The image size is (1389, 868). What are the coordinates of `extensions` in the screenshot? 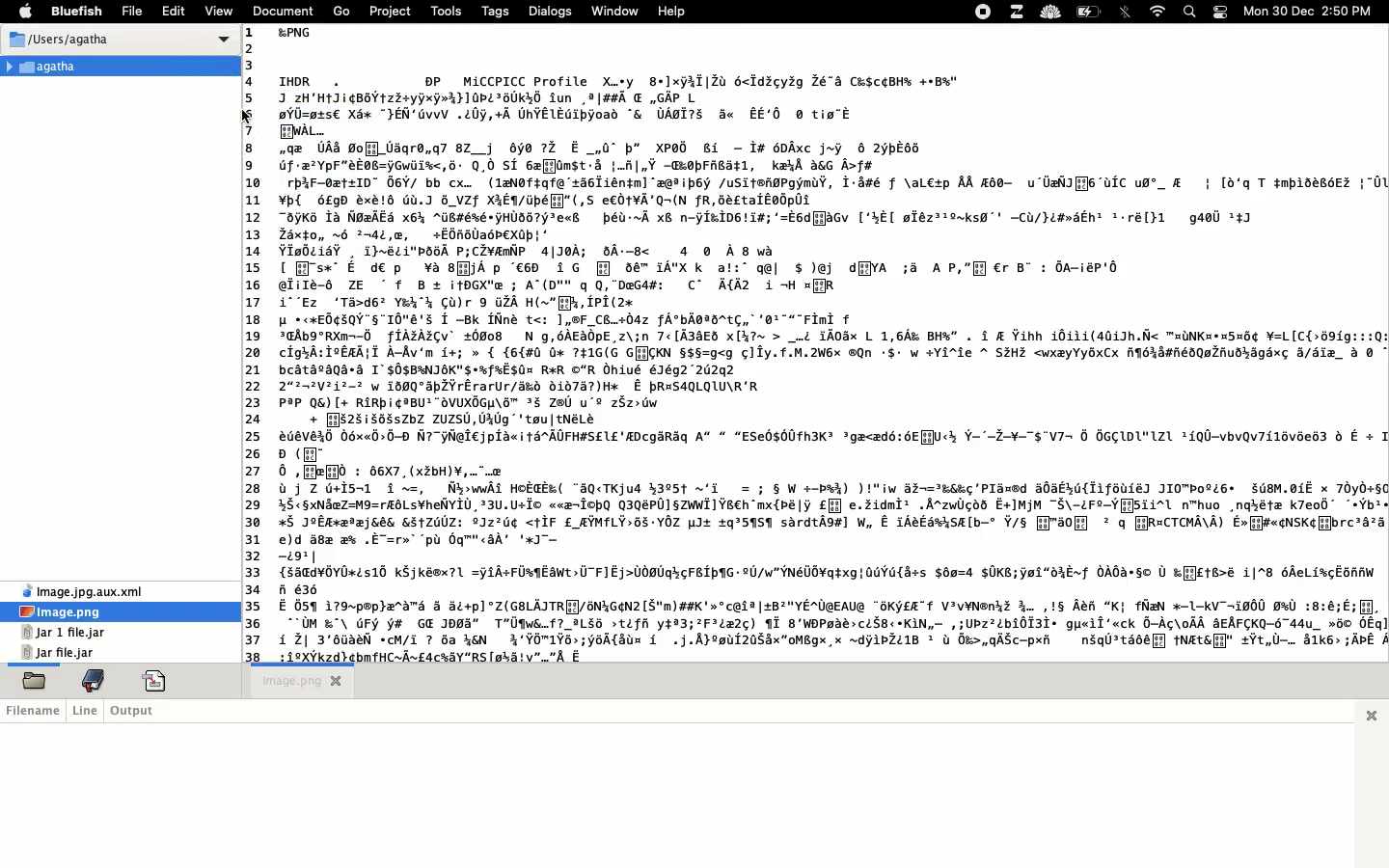 It's located at (1019, 11).